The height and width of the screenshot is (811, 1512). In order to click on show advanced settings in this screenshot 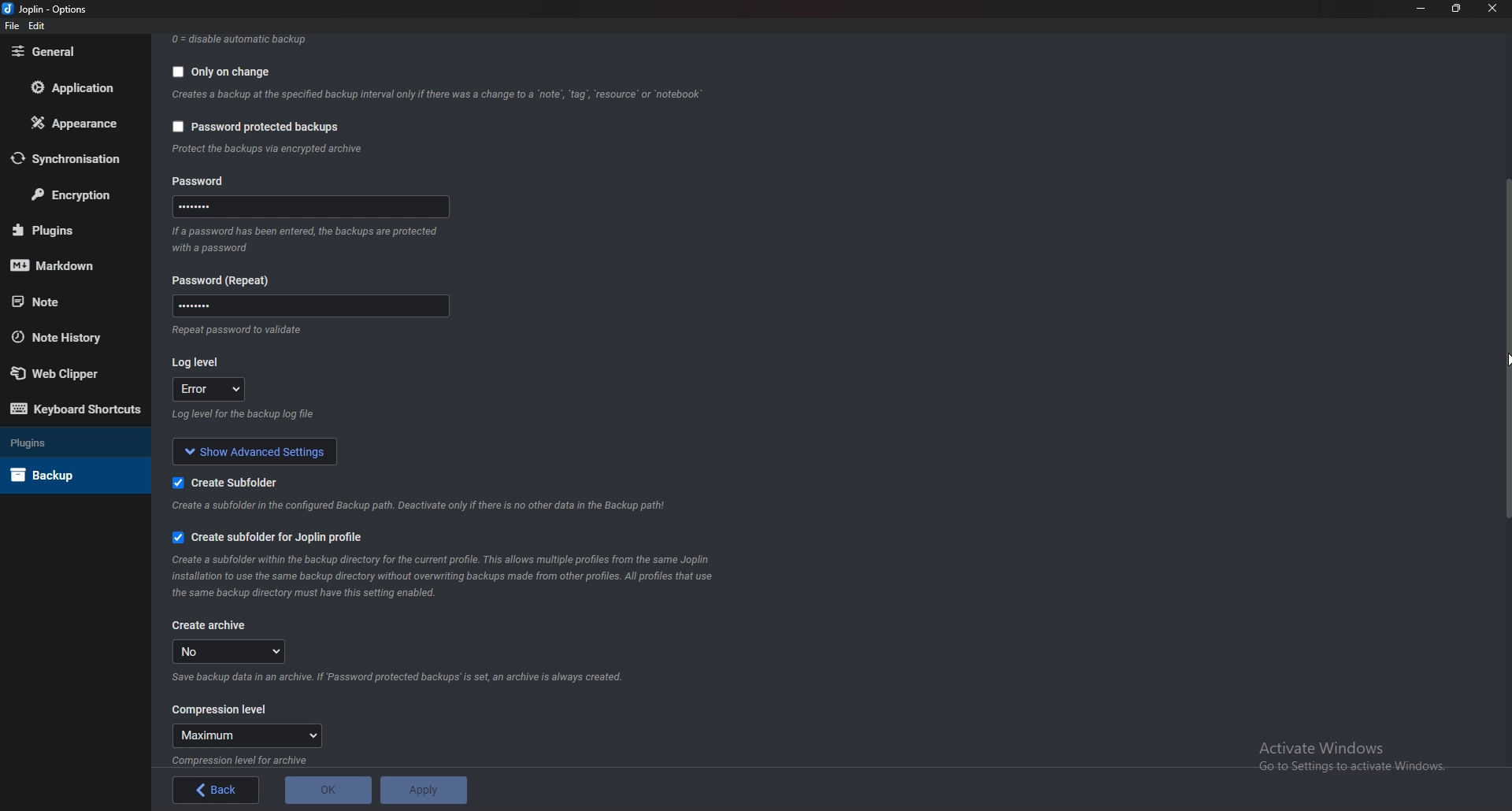, I will do `click(250, 450)`.